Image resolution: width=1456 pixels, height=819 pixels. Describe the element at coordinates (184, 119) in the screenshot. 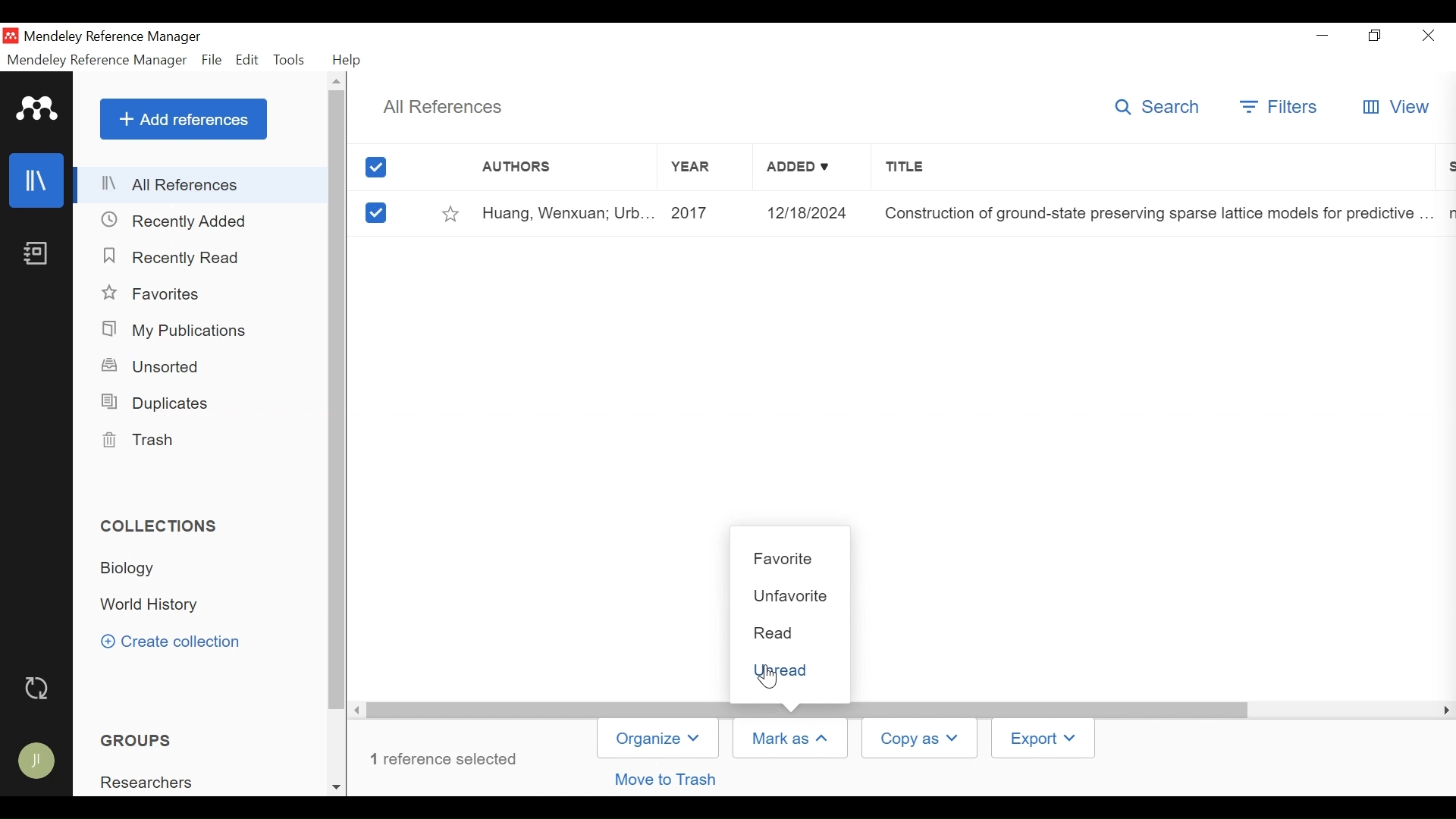

I see `Add References` at that location.